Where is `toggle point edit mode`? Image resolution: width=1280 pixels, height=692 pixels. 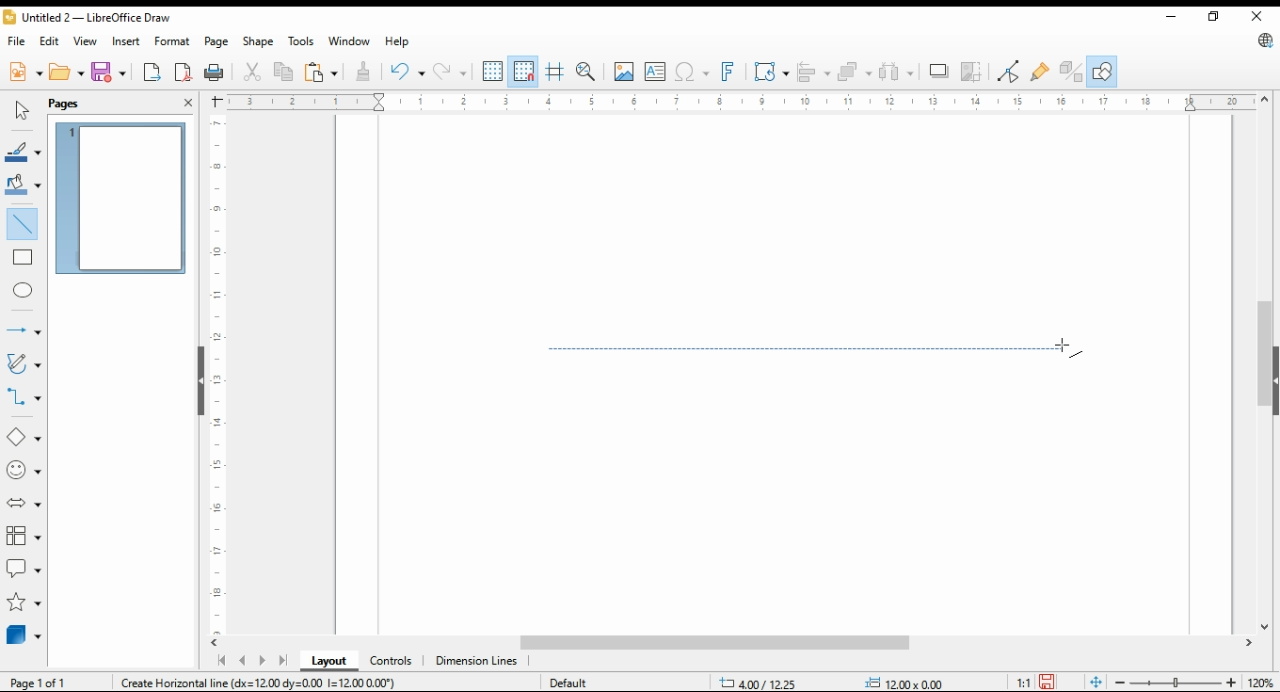 toggle point edit mode is located at coordinates (1009, 71).